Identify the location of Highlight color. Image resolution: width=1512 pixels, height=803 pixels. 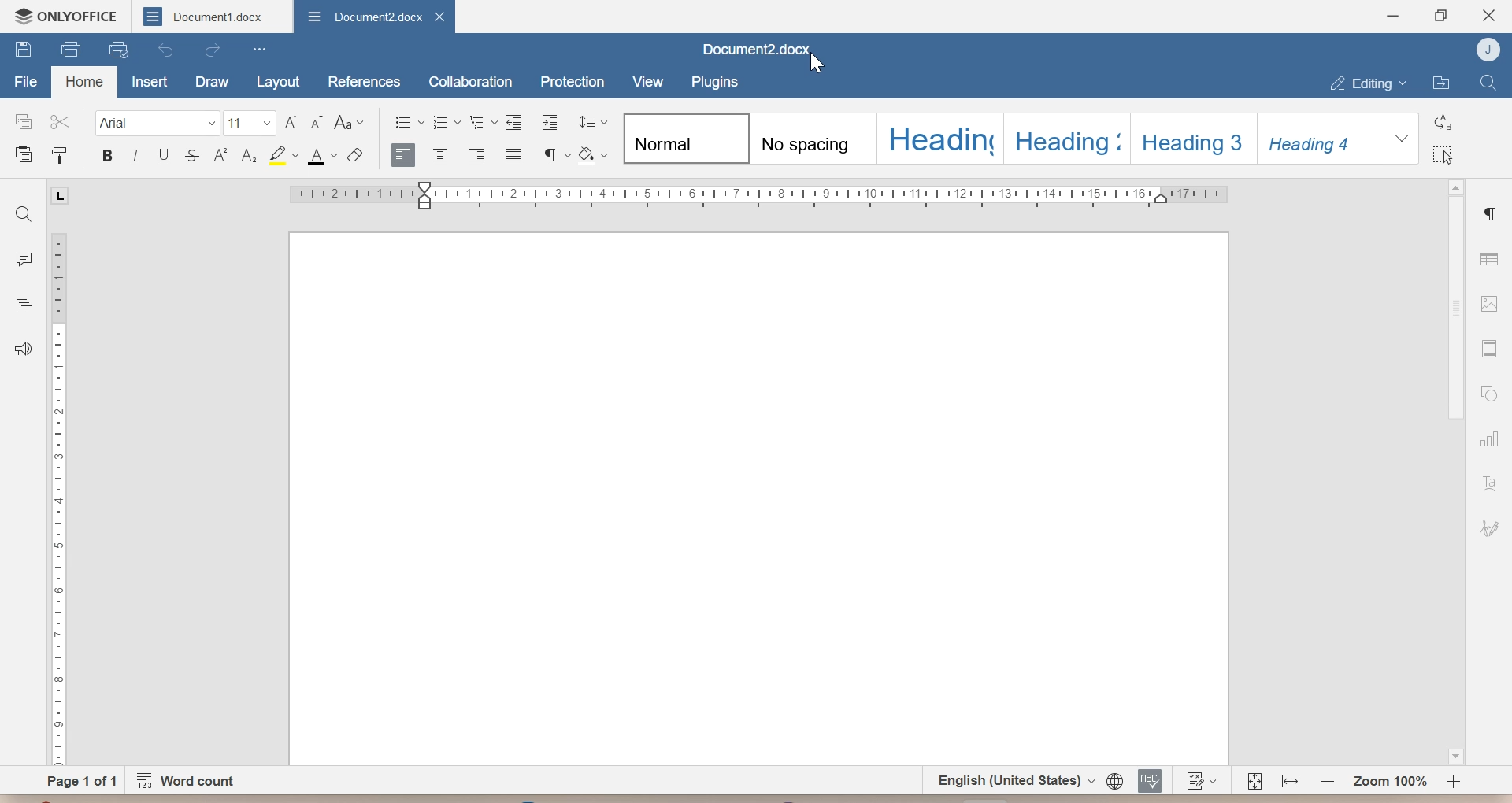
(281, 156).